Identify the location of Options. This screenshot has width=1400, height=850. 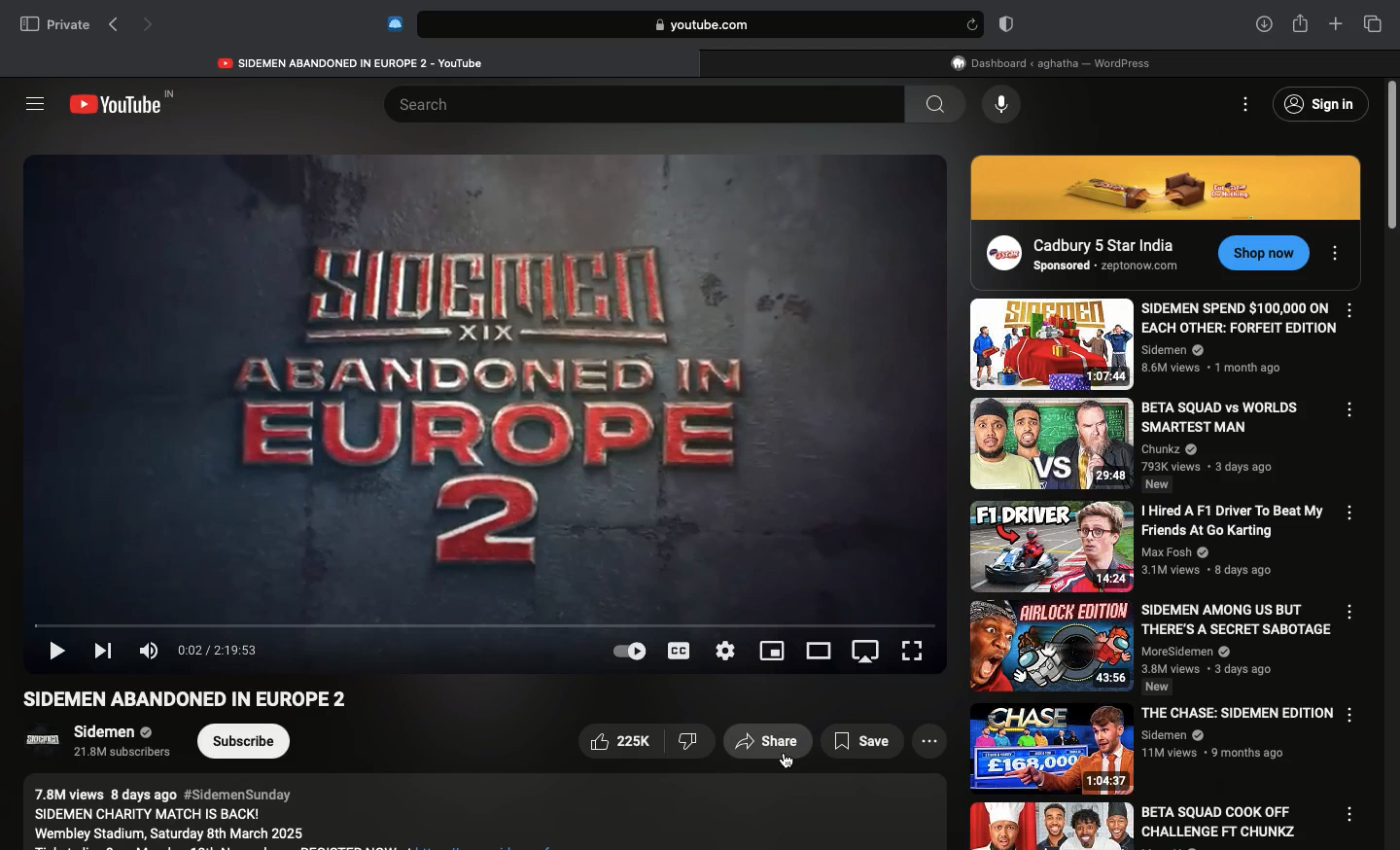
(1350, 310).